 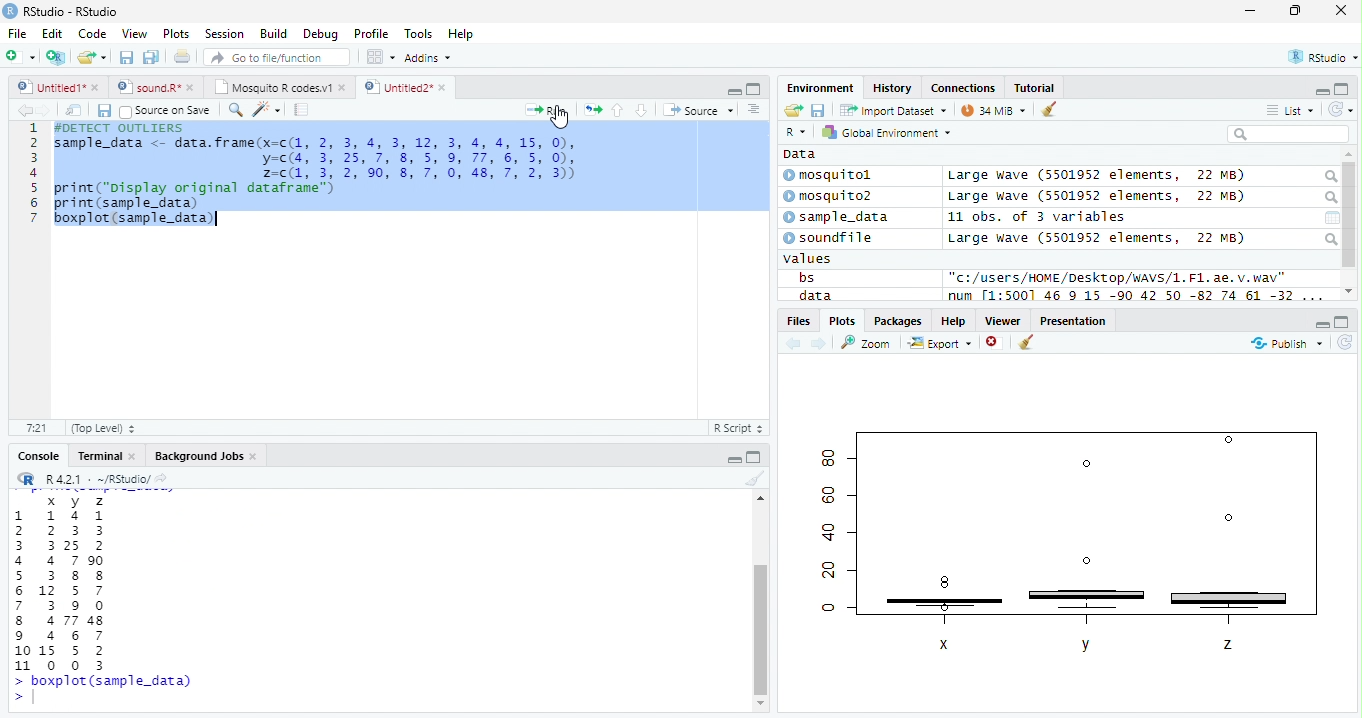 I want to click on Console, so click(x=35, y=455).